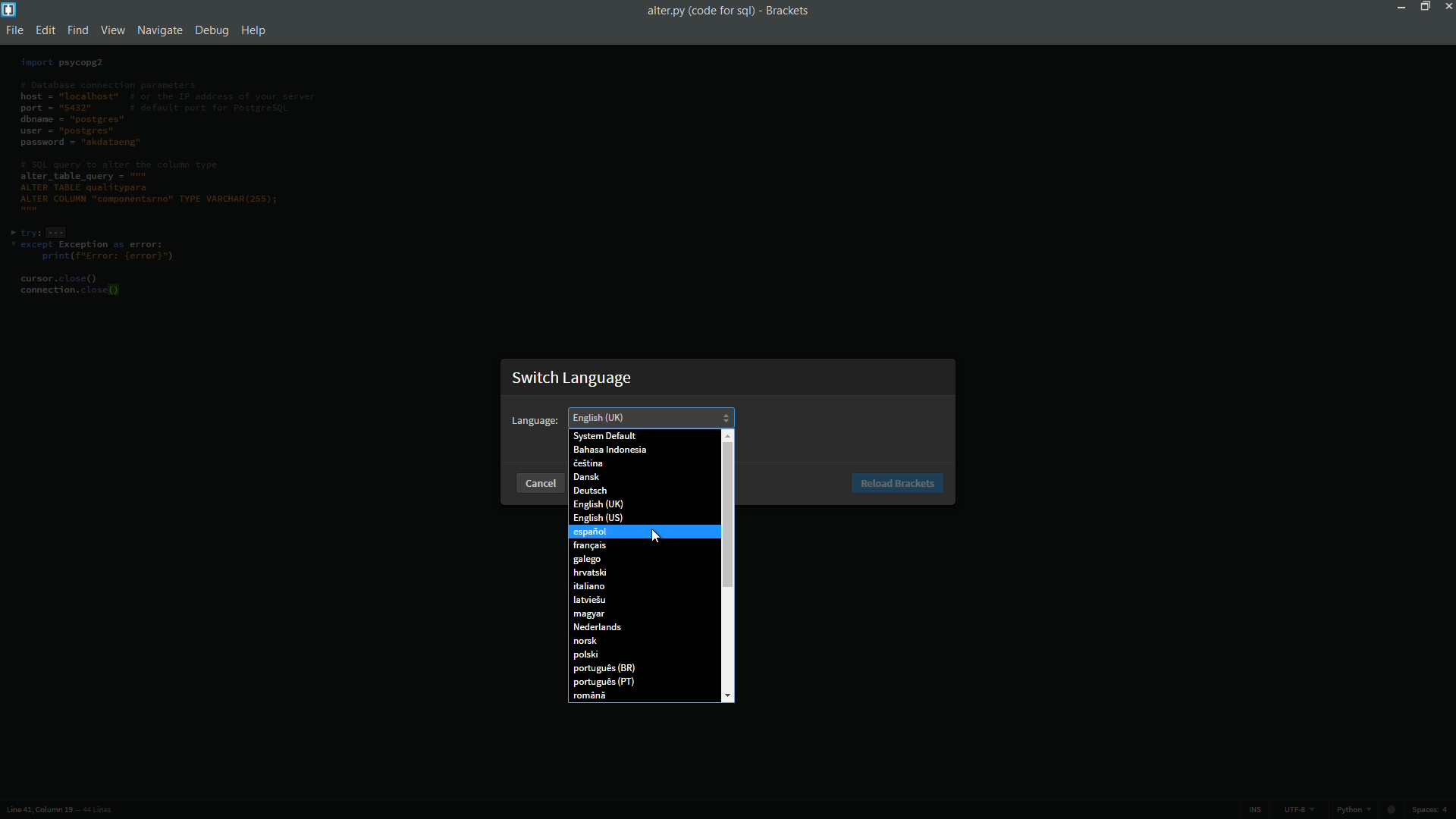 The height and width of the screenshot is (819, 1456). What do you see at coordinates (1394, 809) in the screenshot?
I see `circle` at bounding box center [1394, 809].